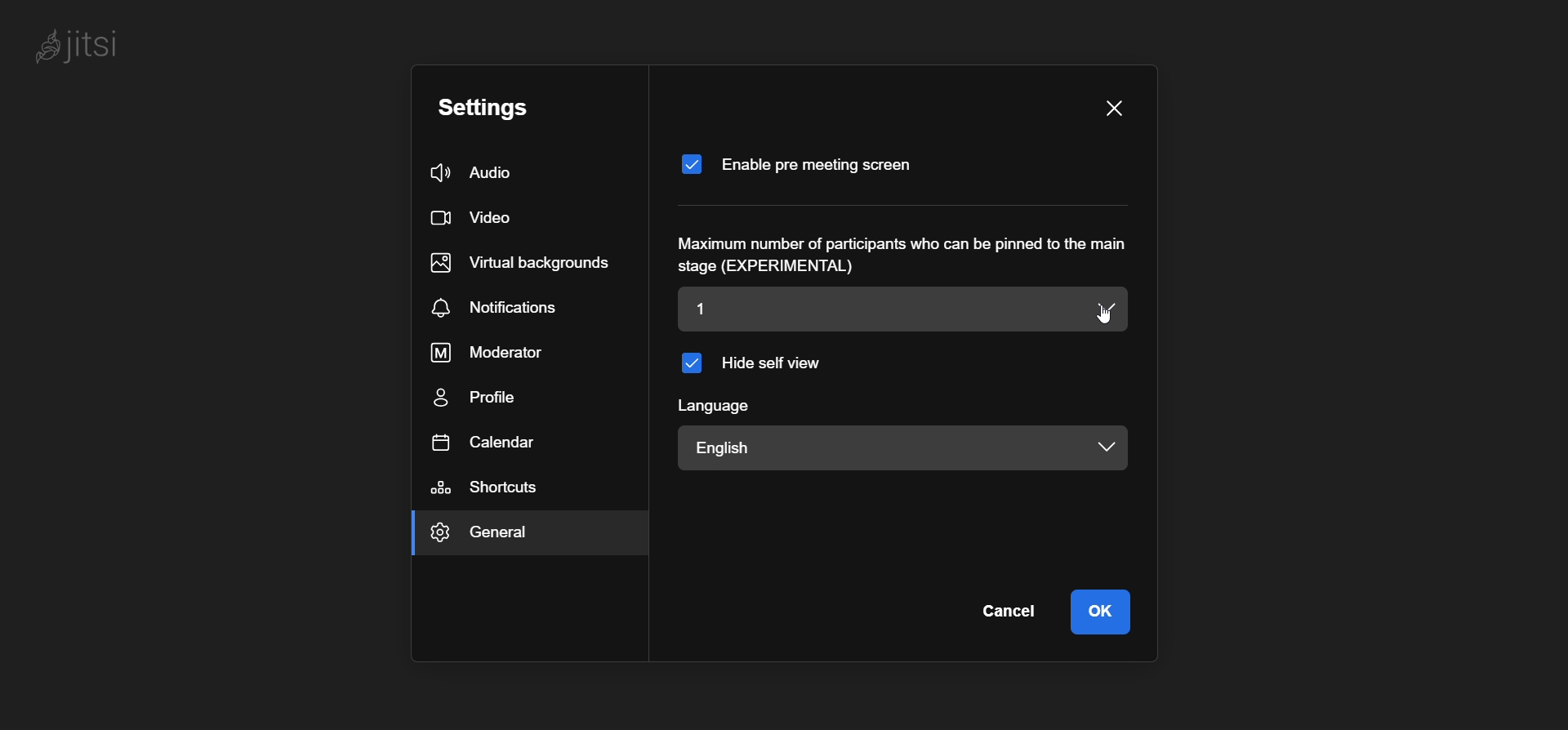  I want to click on virtual background, so click(523, 260).